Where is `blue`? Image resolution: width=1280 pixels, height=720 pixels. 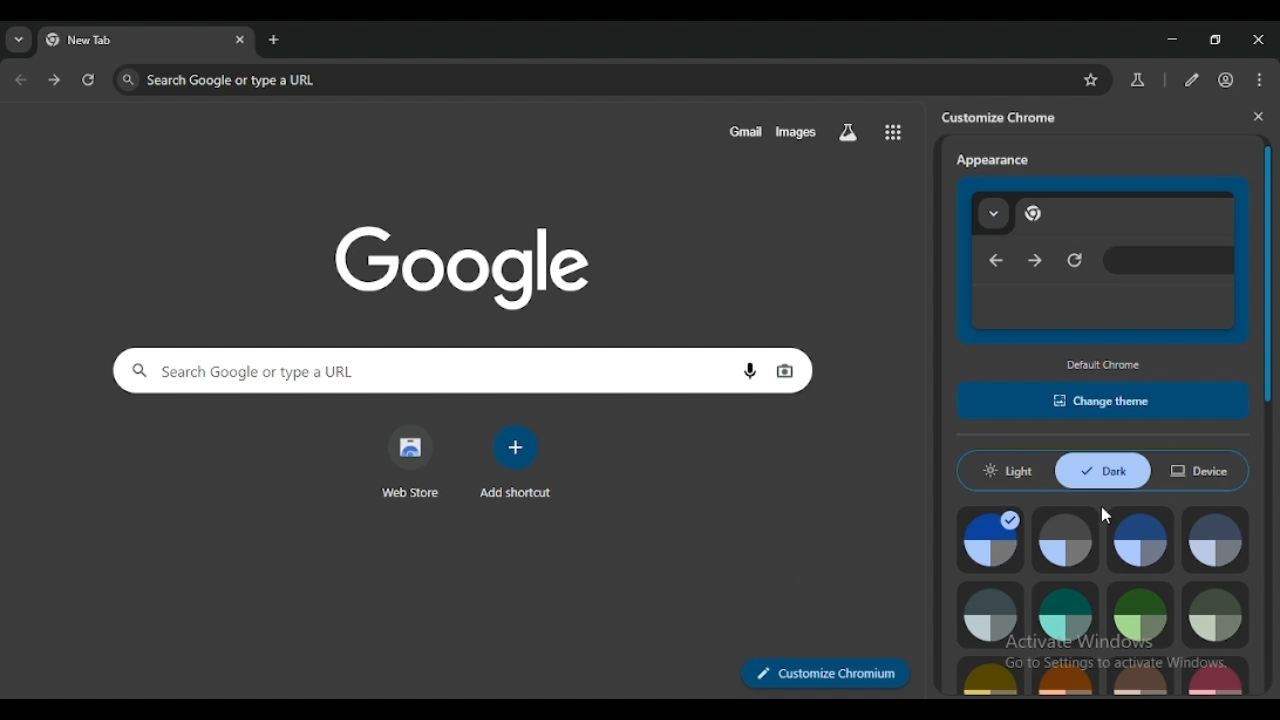
blue is located at coordinates (1142, 541).